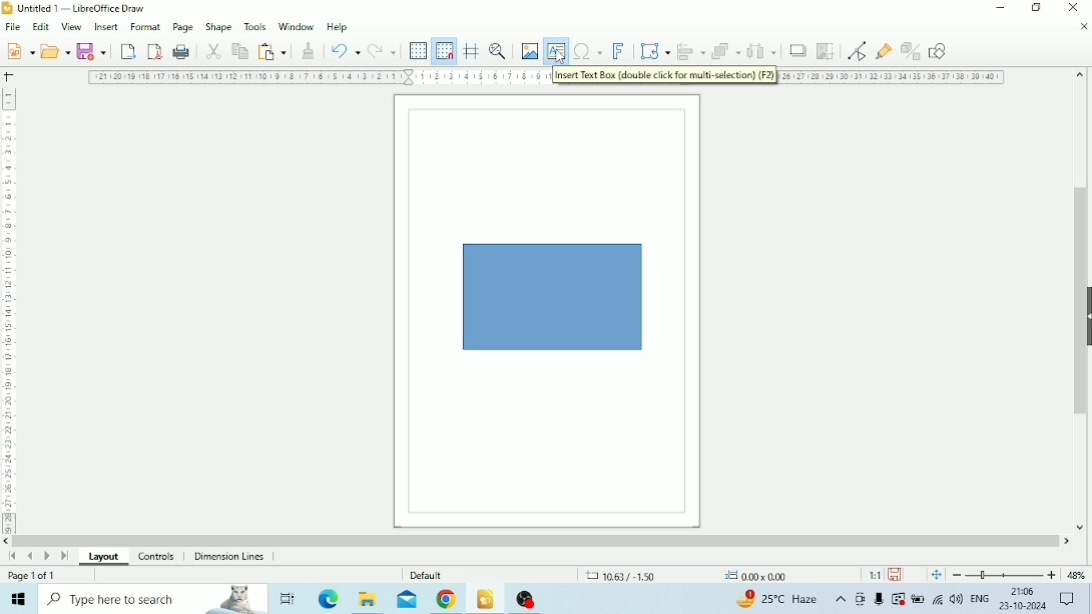 This screenshot has height=614, width=1092. I want to click on Controls, so click(160, 557).